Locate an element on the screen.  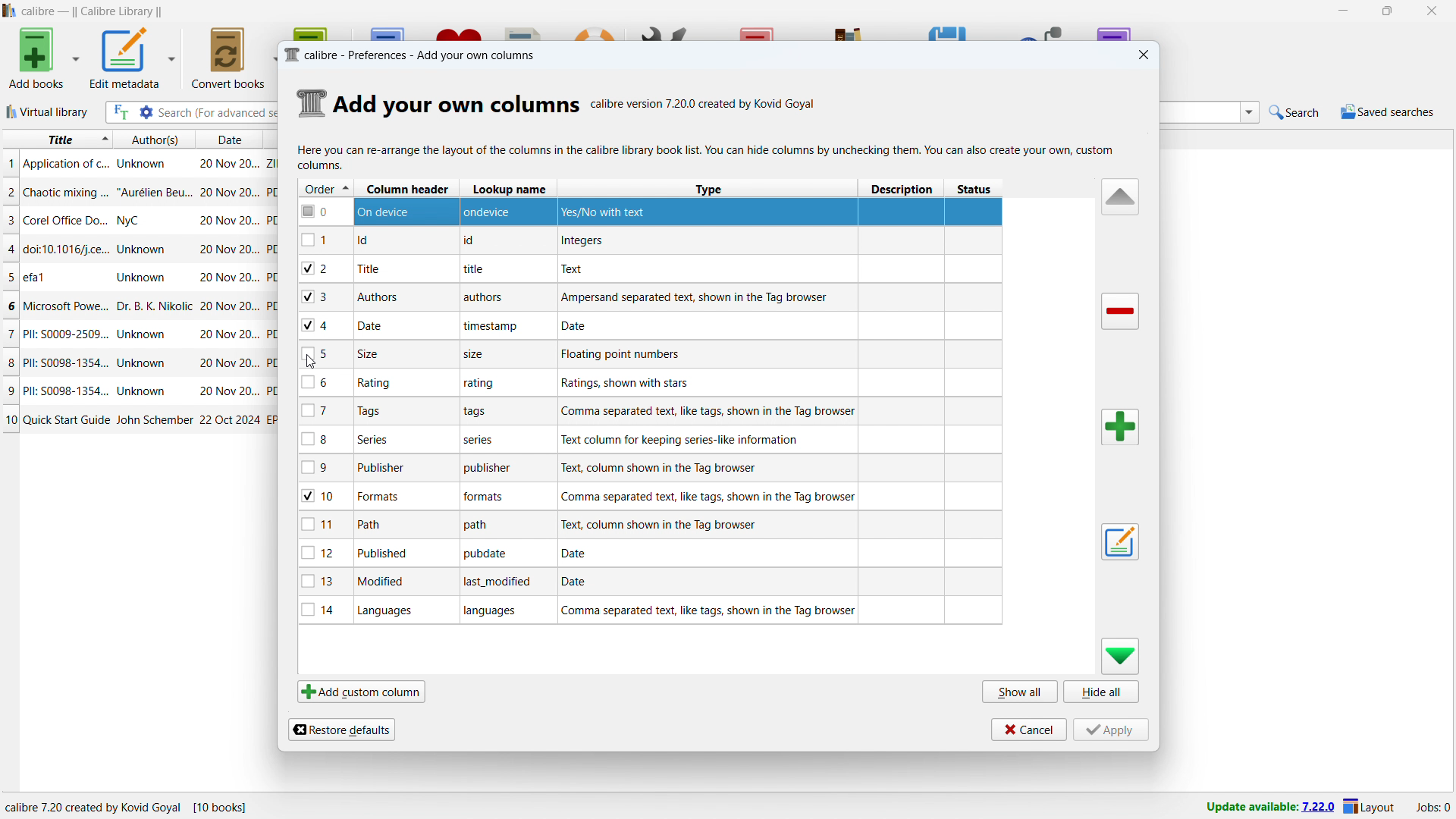
Ratings, shown with stars is located at coordinates (624, 382).